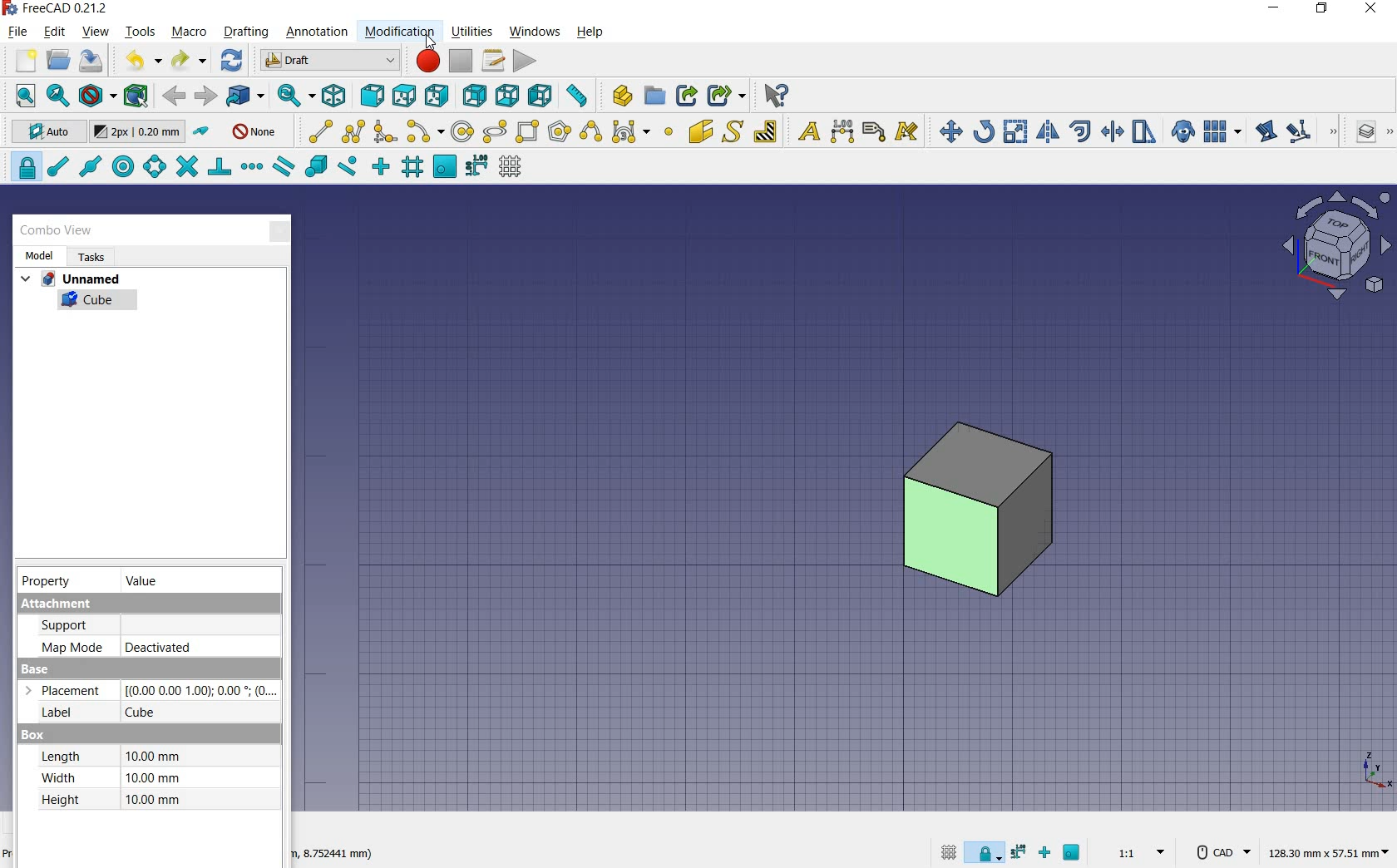 This screenshot has width=1397, height=868. Describe the element at coordinates (985, 131) in the screenshot. I see `rotate` at that location.